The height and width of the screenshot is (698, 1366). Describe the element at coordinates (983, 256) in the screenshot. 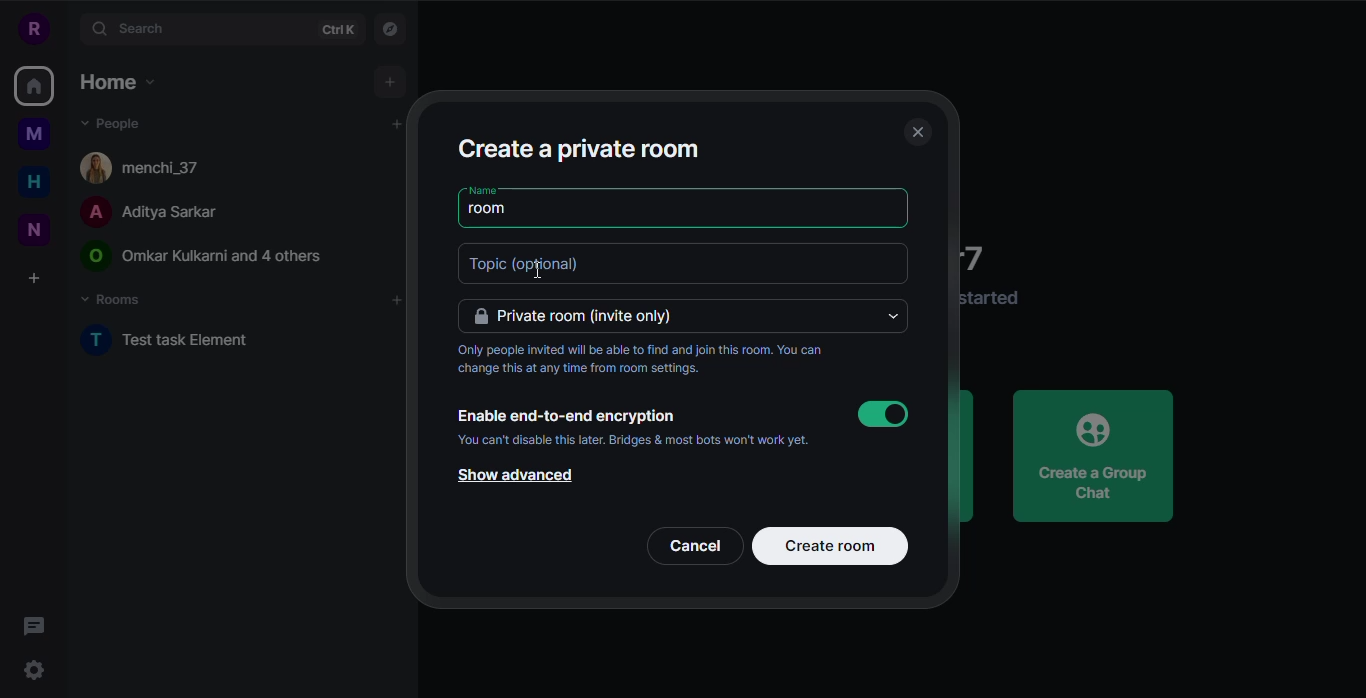

I see `welcome` at that location.